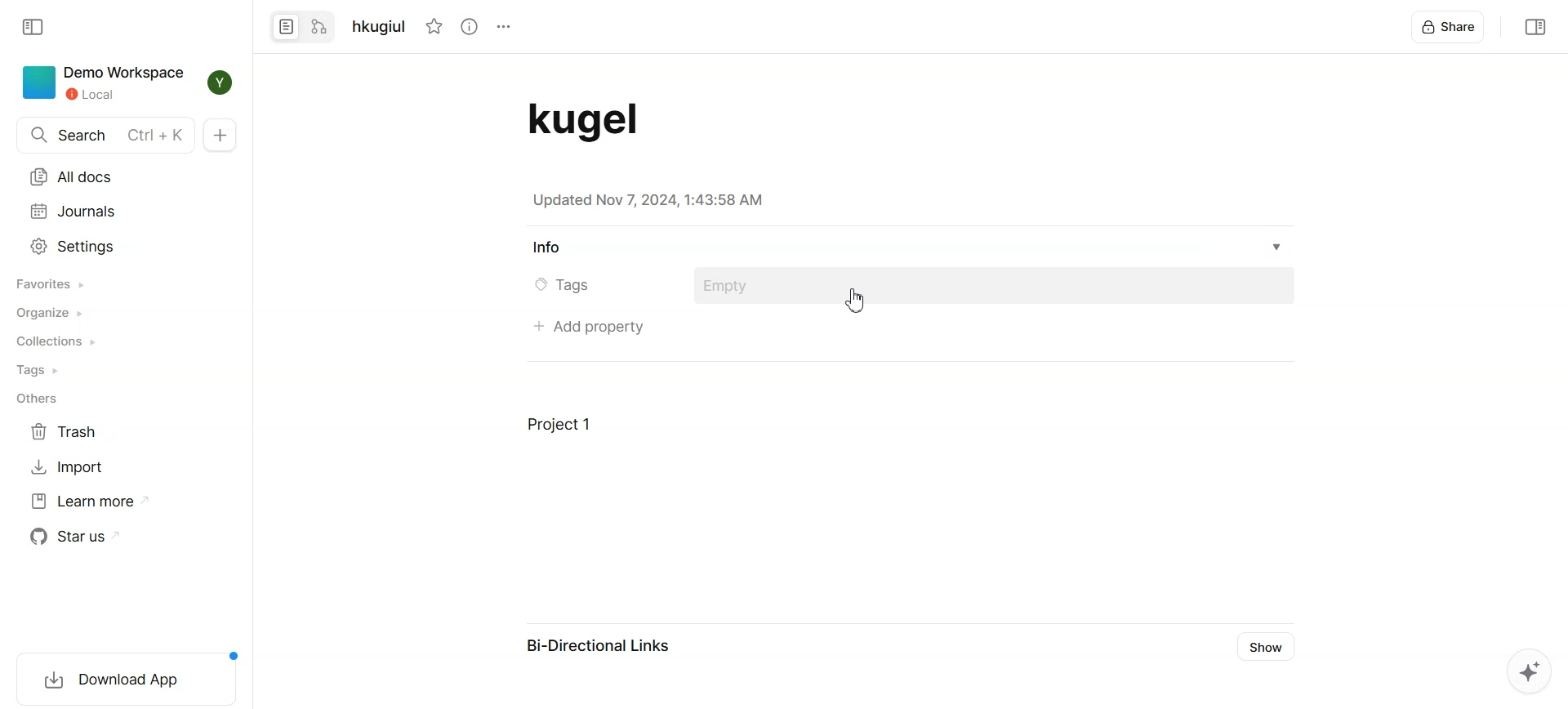 Image resolution: width=1568 pixels, height=709 pixels. I want to click on Profile, so click(219, 82).